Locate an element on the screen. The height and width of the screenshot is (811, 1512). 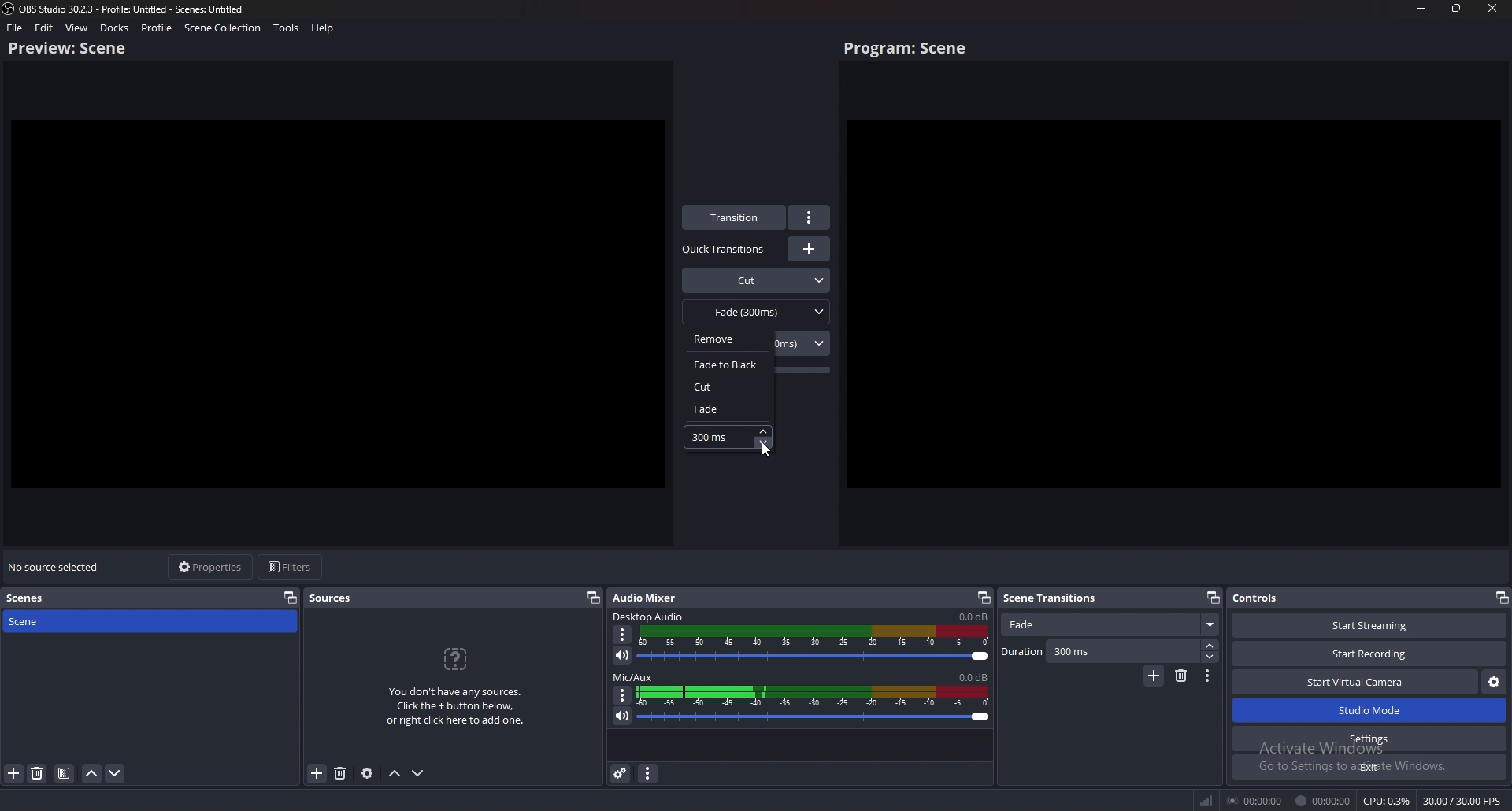
fade(300ms) is located at coordinates (757, 311).